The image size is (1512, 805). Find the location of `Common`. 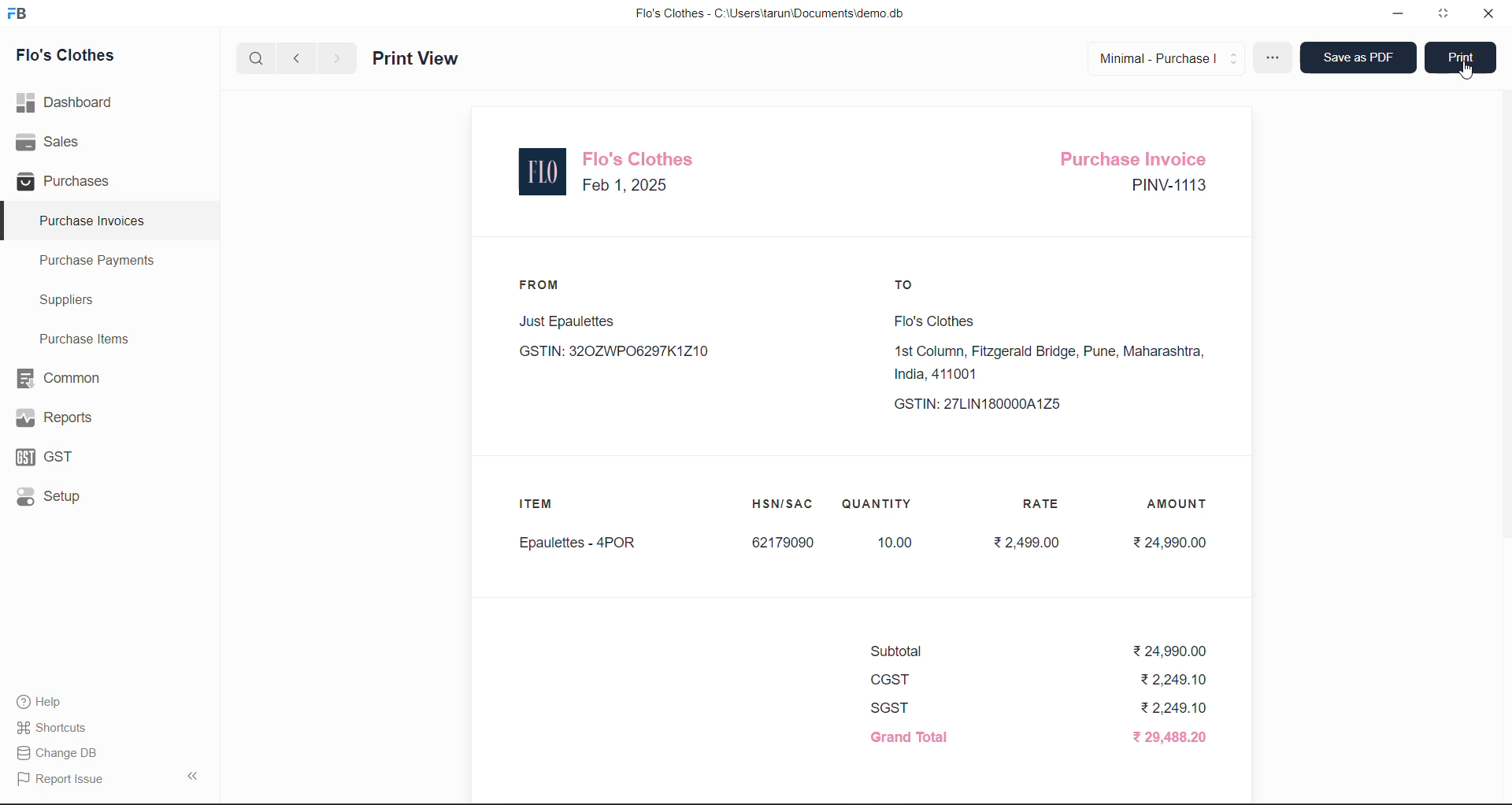

Common is located at coordinates (72, 377).